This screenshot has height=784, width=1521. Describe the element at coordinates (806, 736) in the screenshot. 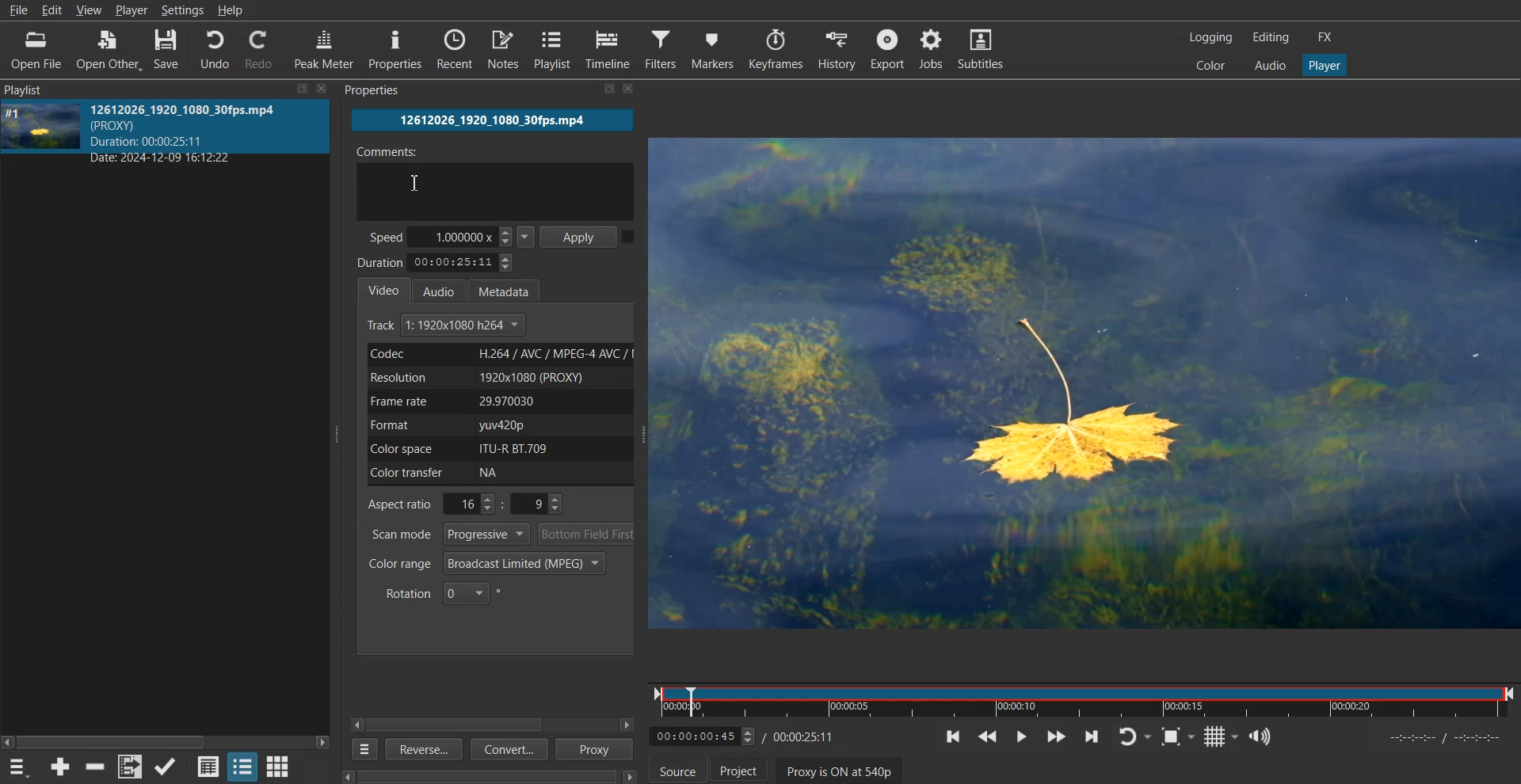

I see `End Time` at that location.